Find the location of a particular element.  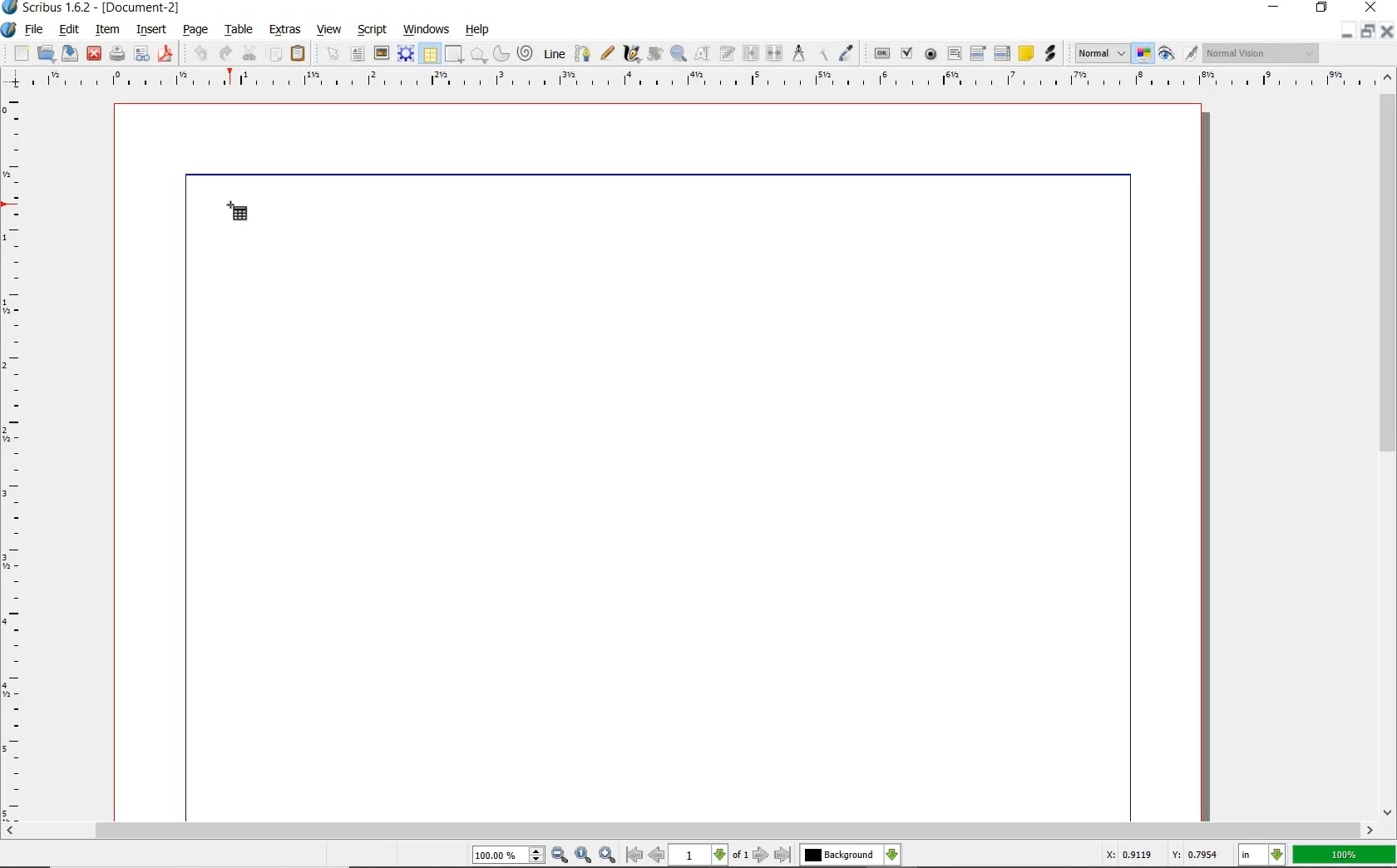

pdf list box is located at coordinates (1003, 52).